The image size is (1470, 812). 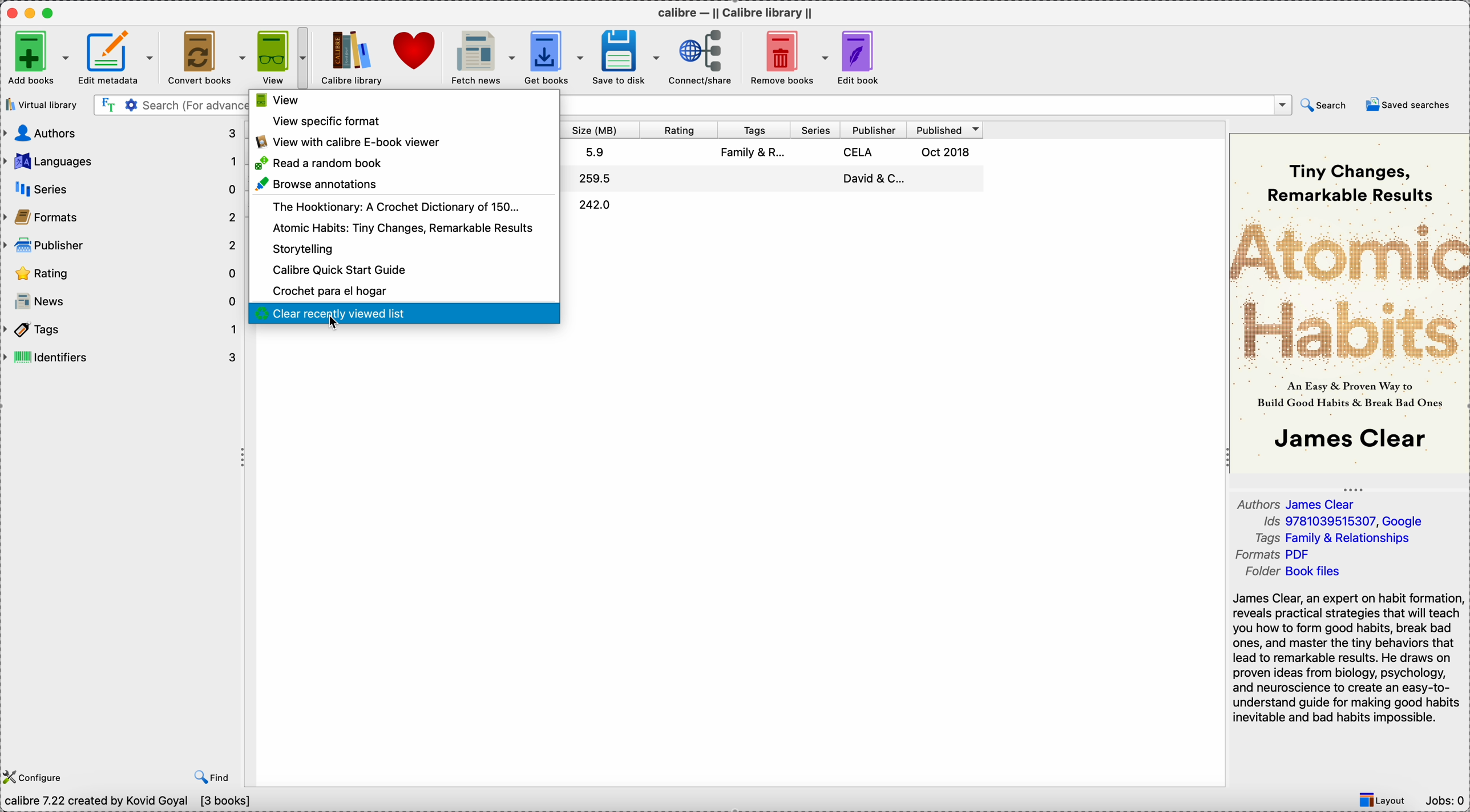 What do you see at coordinates (785, 58) in the screenshot?
I see `remove books` at bounding box center [785, 58].